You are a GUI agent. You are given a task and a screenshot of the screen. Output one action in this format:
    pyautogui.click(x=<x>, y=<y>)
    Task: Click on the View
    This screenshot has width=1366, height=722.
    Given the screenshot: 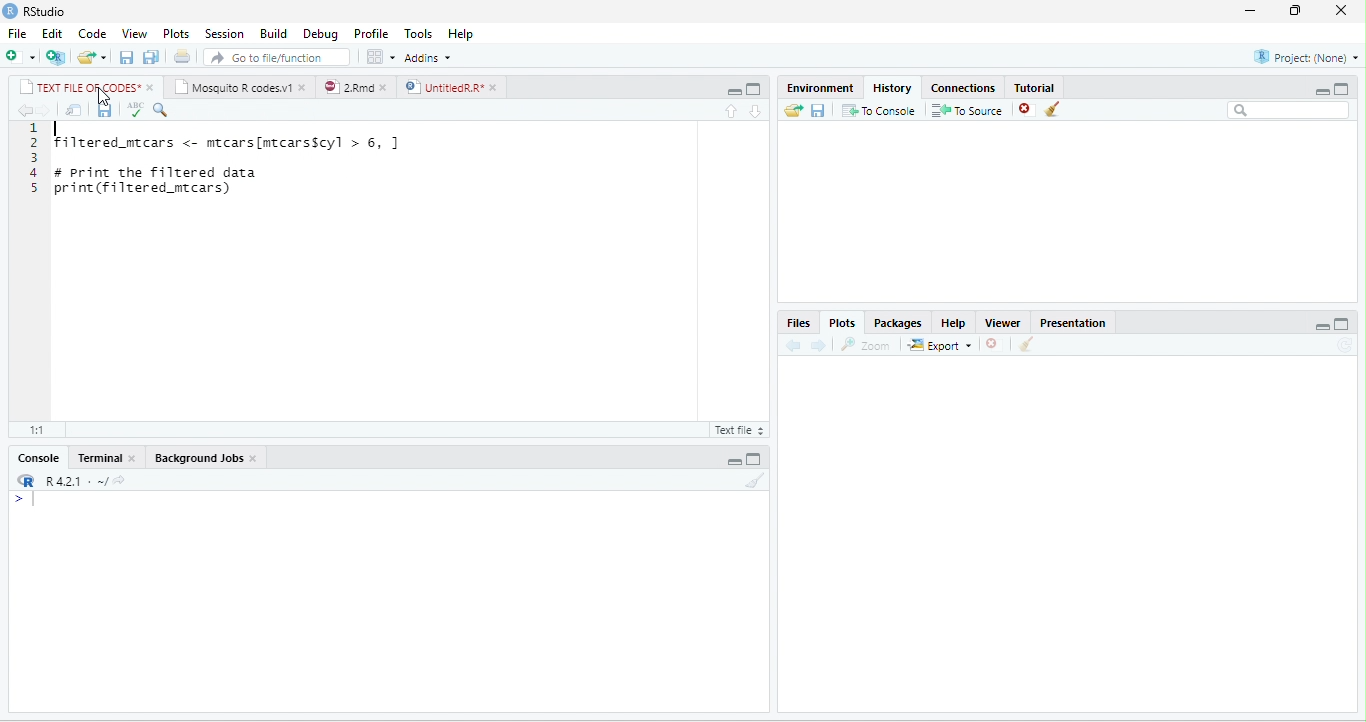 What is the action you would take?
    pyautogui.click(x=135, y=33)
    